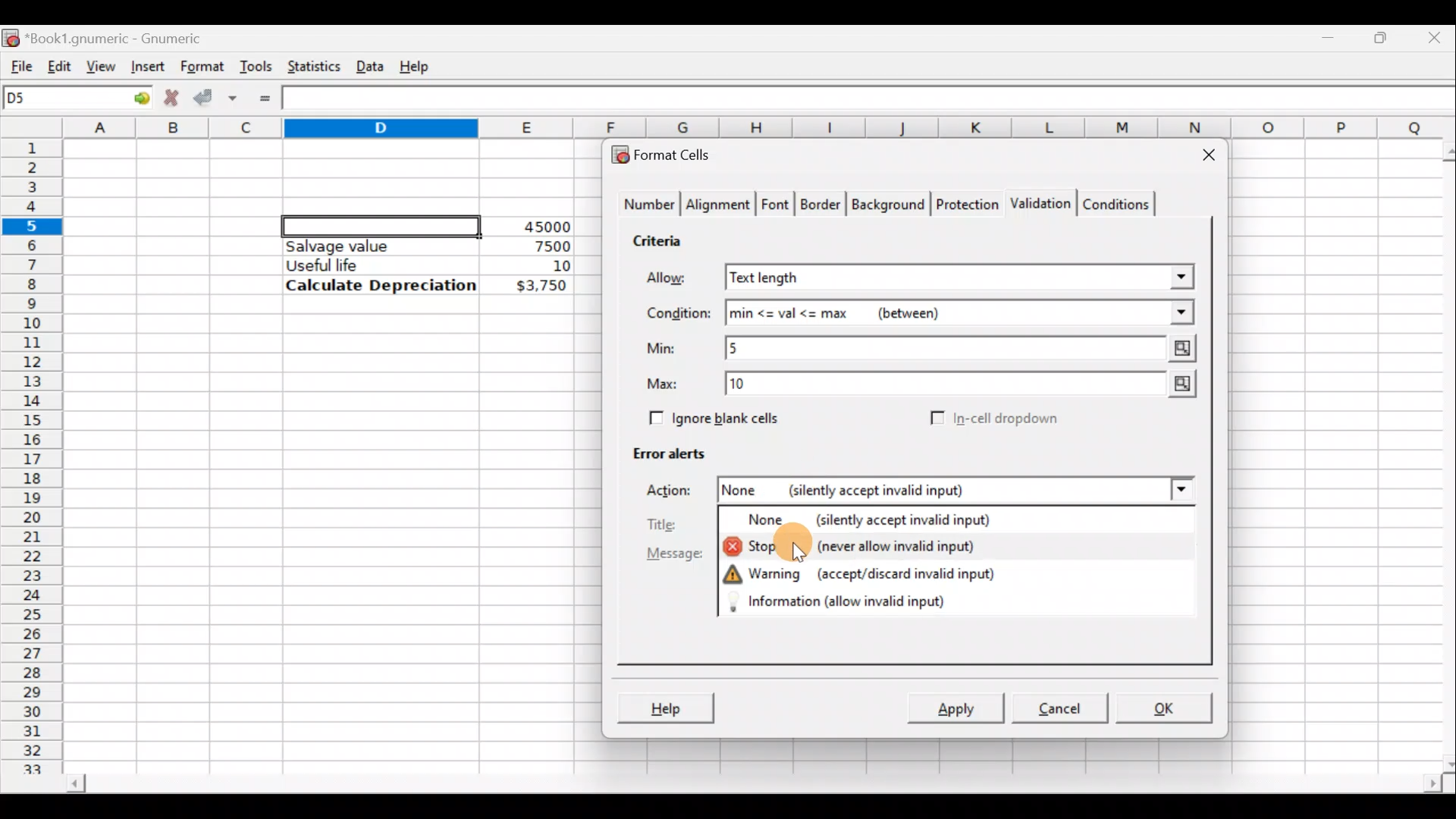 The width and height of the screenshot is (1456, 819). What do you see at coordinates (961, 278) in the screenshot?
I see `Text length selected` at bounding box center [961, 278].